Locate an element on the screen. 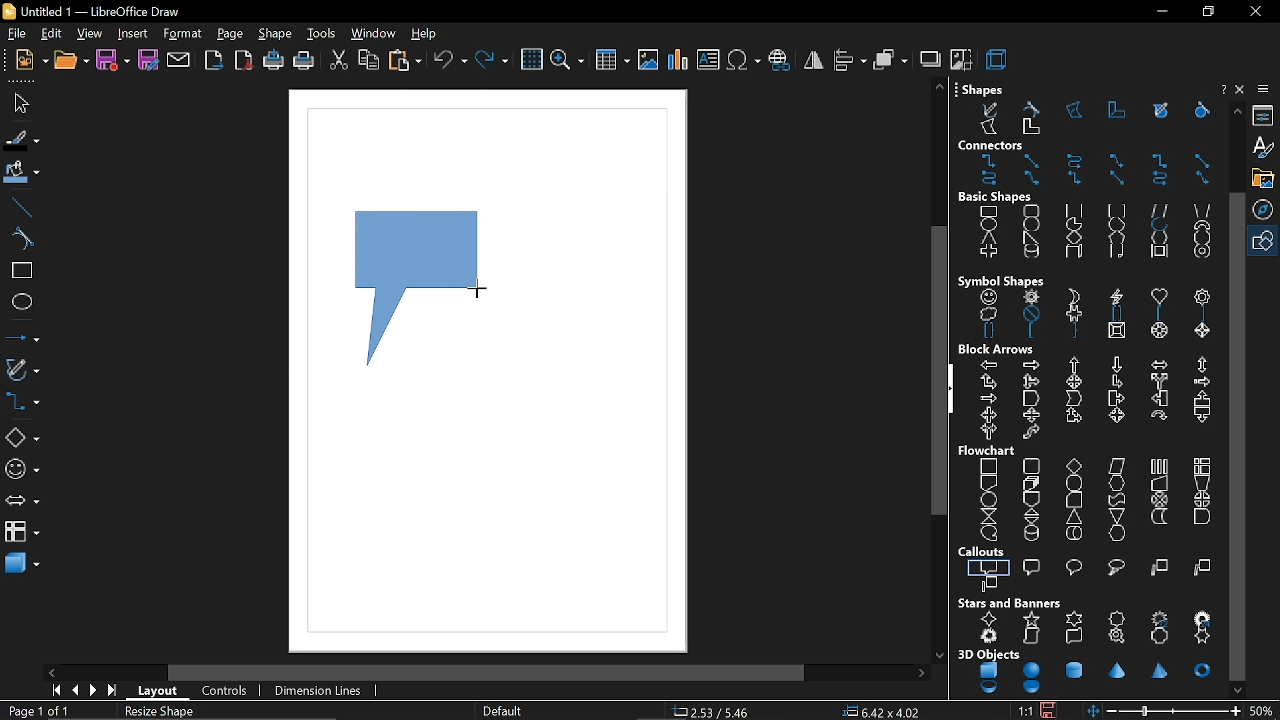 The width and height of the screenshot is (1280, 720). parallelogram is located at coordinates (1160, 210).